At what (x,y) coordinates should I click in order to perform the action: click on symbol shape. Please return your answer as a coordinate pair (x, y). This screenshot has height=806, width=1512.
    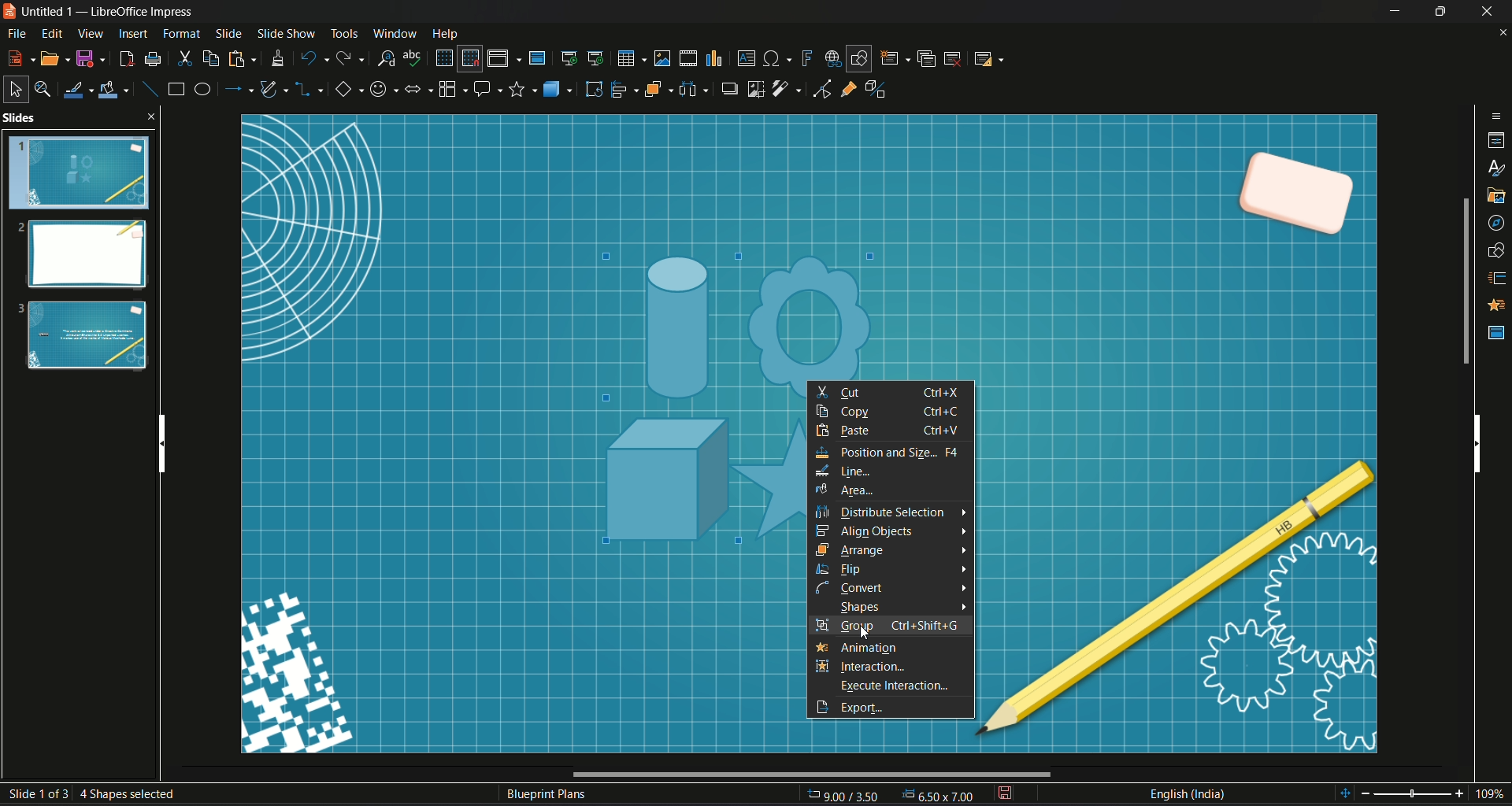
    Looking at the image, I should click on (382, 91).